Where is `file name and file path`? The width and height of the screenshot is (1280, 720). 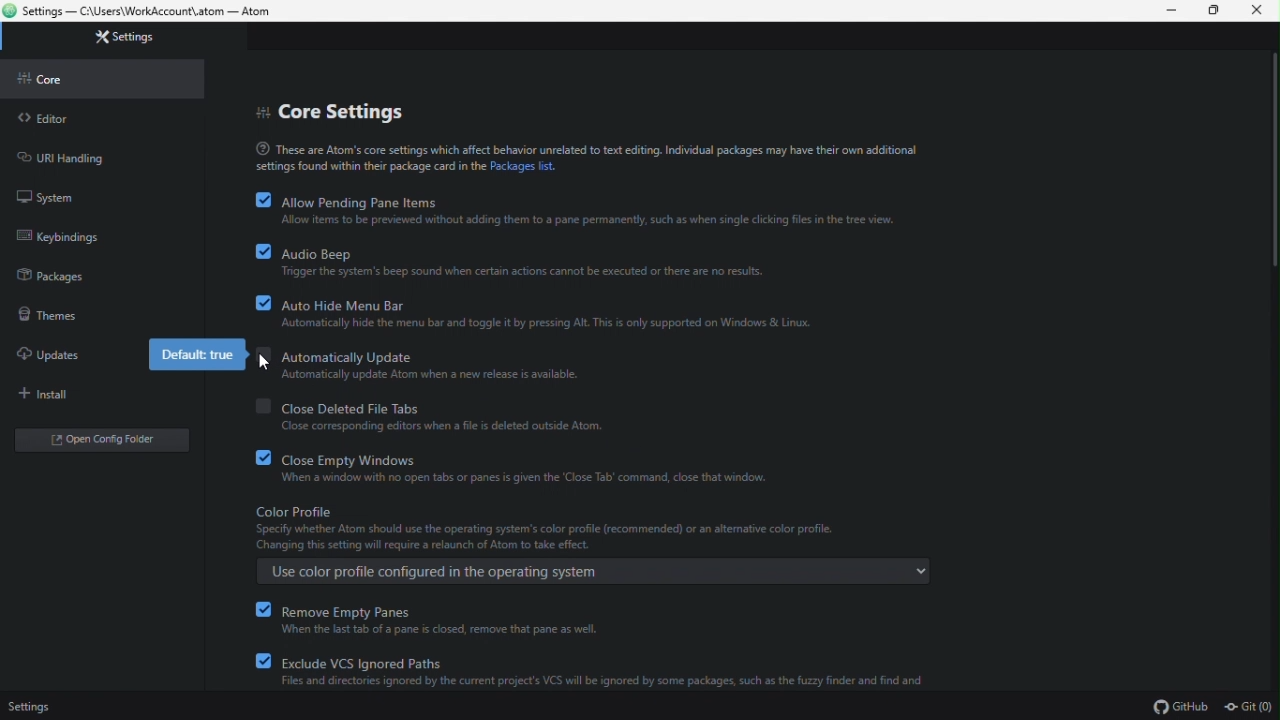
file name and file path is located at coordinates (153, 12).